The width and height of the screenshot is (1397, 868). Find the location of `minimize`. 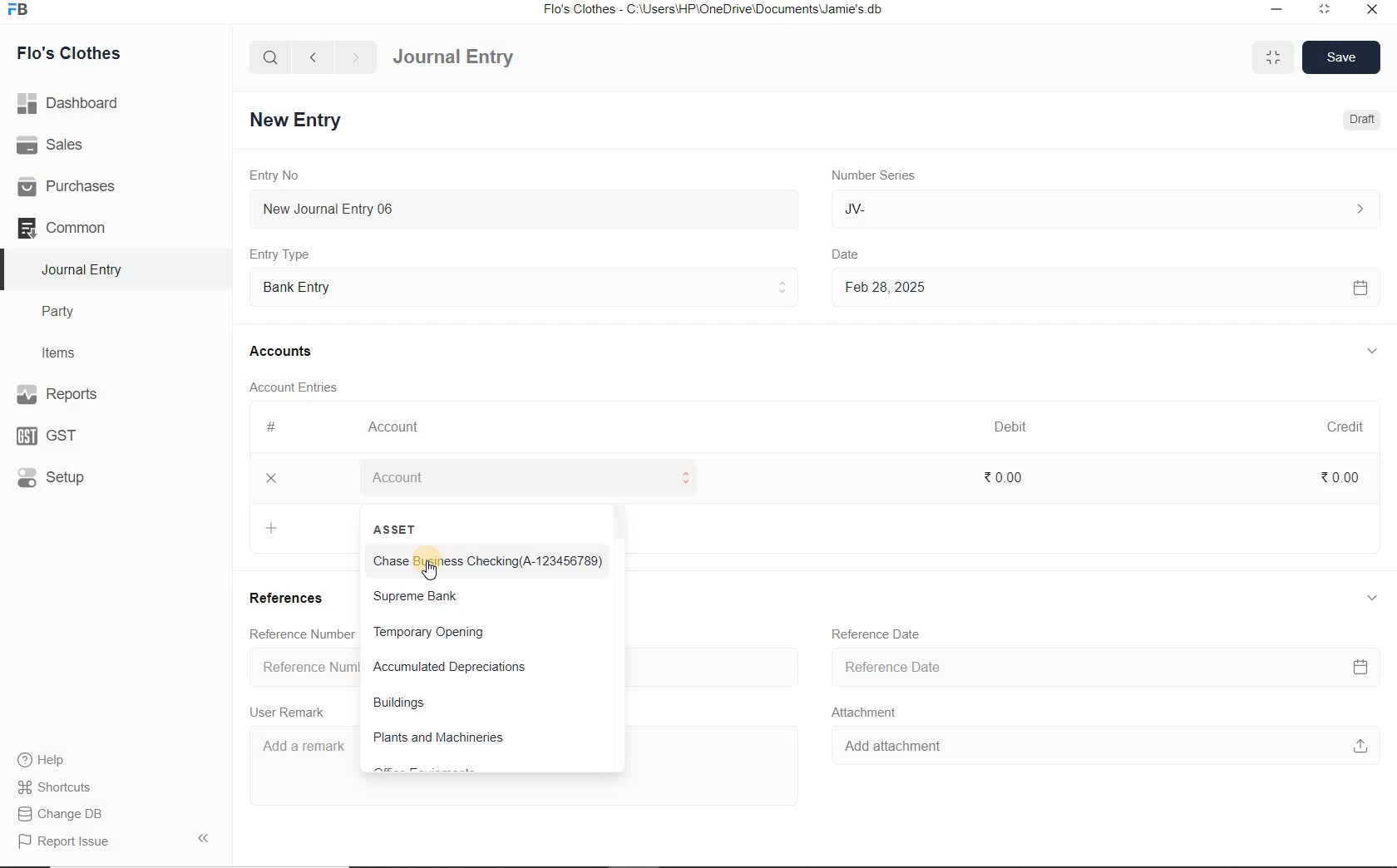

minimize is located at coordinates (1275, 8).